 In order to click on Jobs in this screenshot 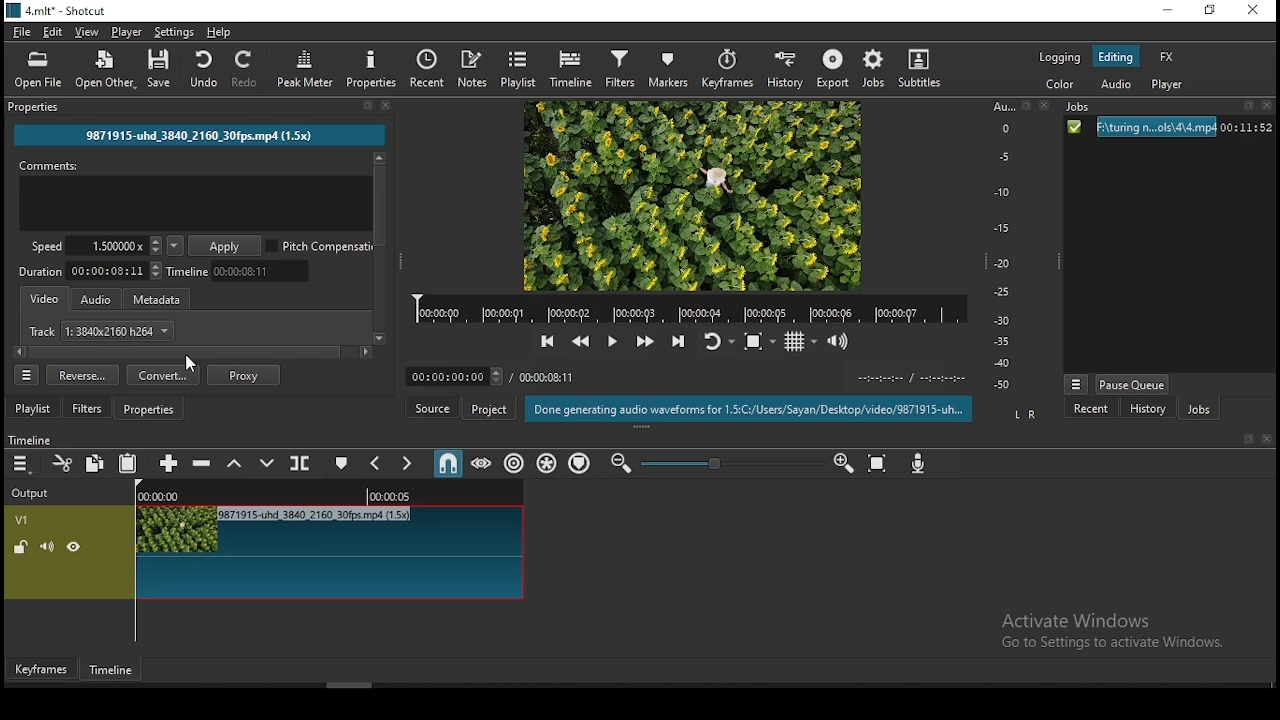, I will do `click(1082, 108)`.